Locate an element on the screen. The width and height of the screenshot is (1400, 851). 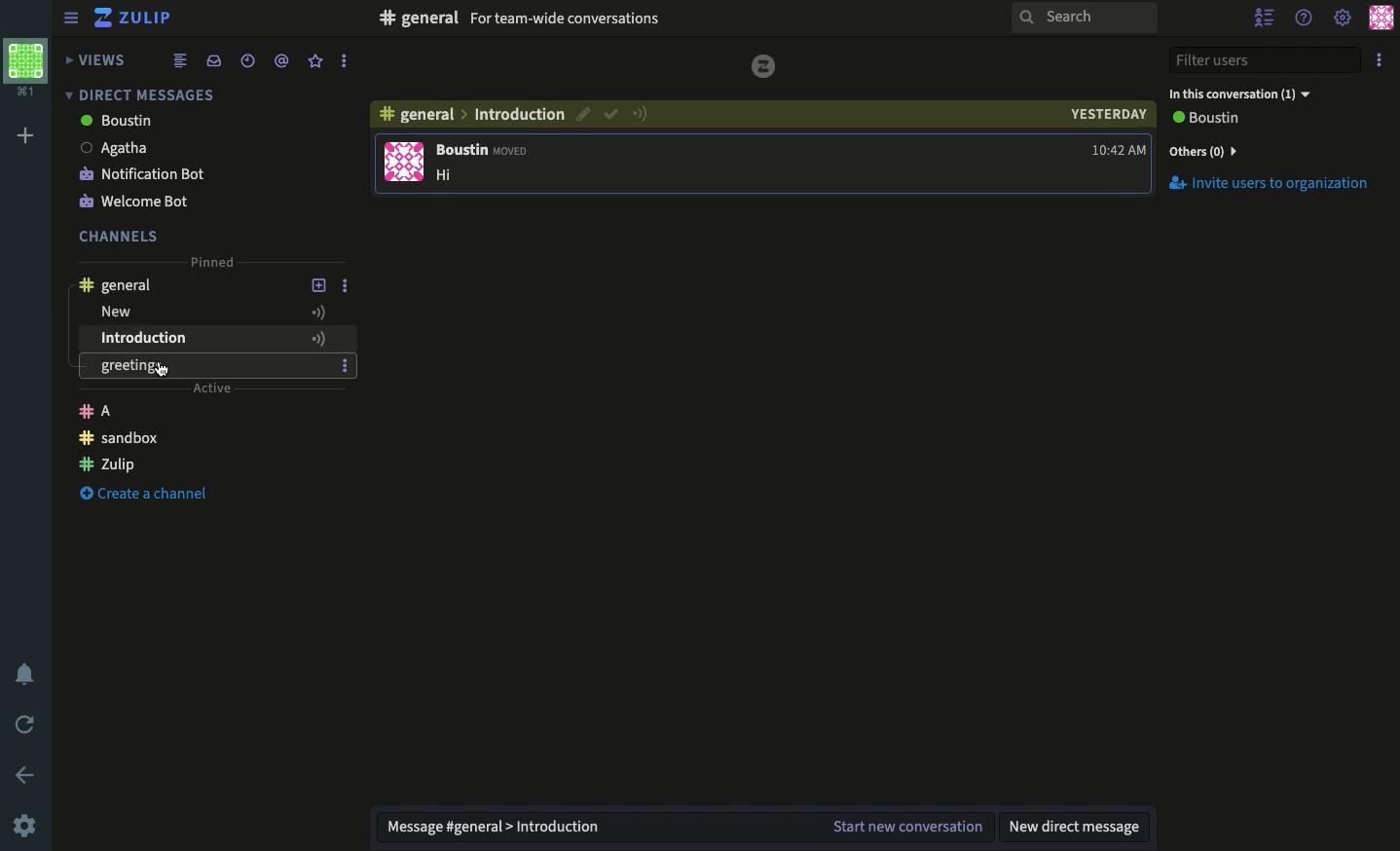
greetings is located at coordinates (212, 365).